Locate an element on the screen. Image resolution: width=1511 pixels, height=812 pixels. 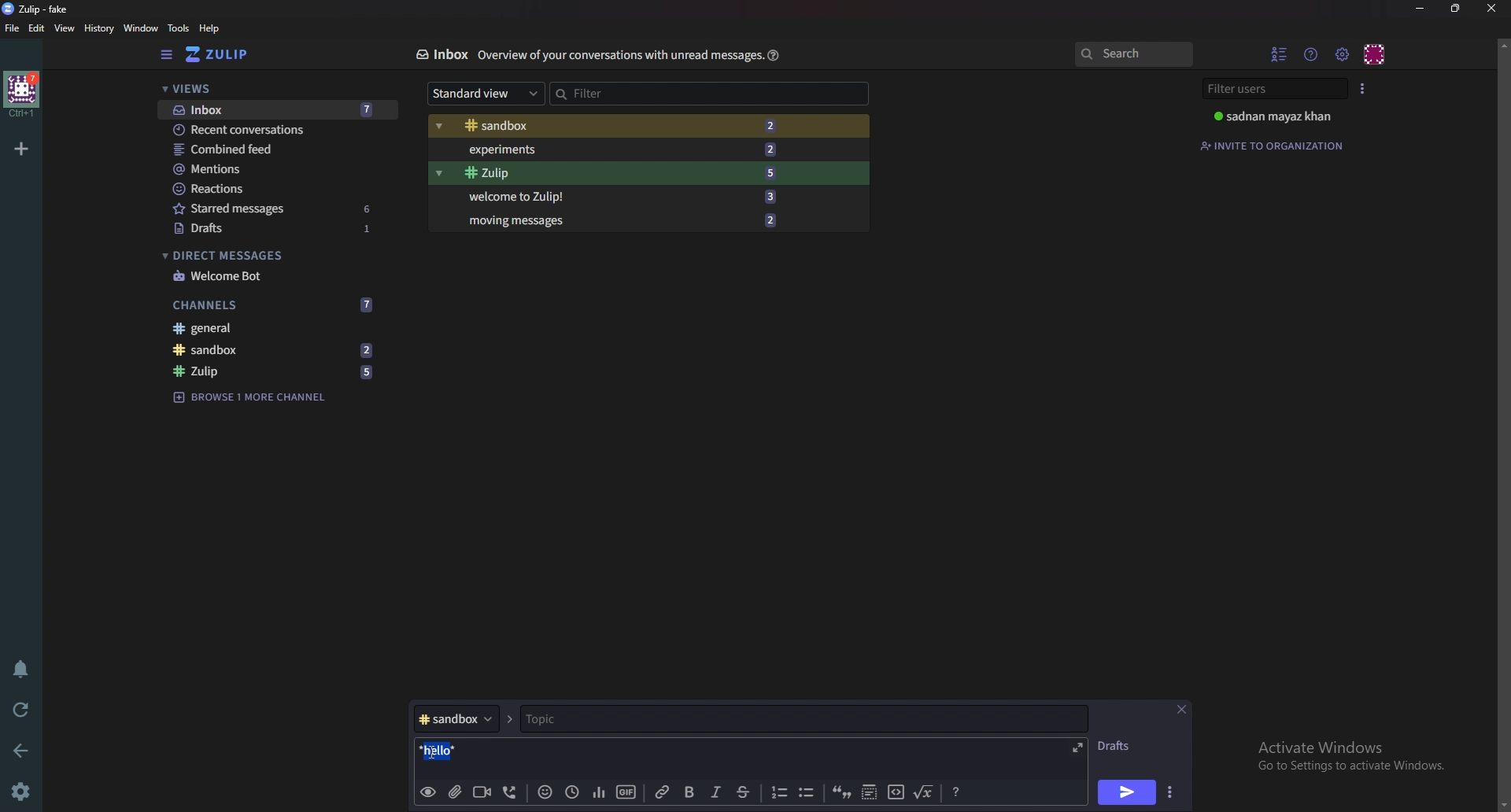
gif is located at coordinates (625, 791).